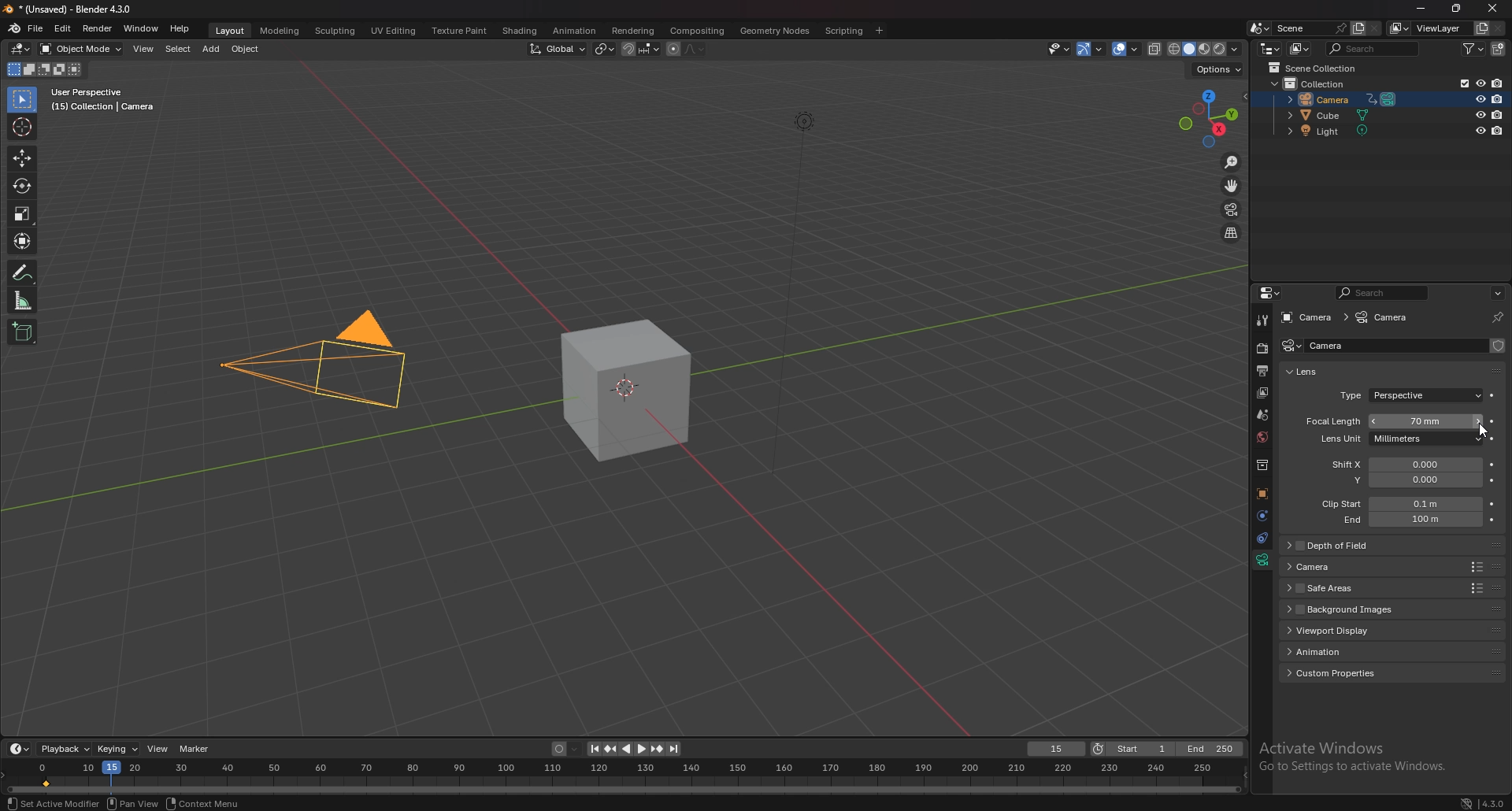  Describe the element at coordinates (20, 49) in the screenshot. I see `editor type` at that location.